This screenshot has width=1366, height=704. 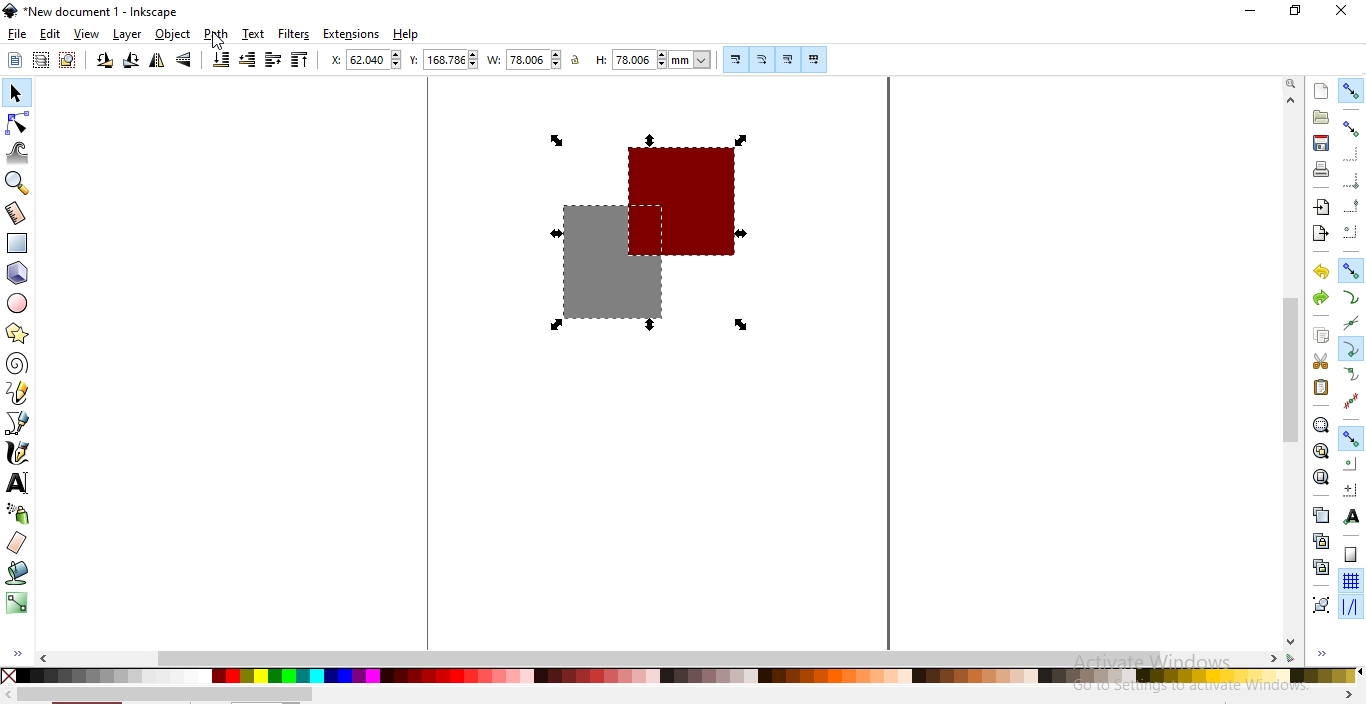 What do you see at coordinates (814, 60) in the screenshot?
I see `move patterns along with object` at bounding box center [814, 60].